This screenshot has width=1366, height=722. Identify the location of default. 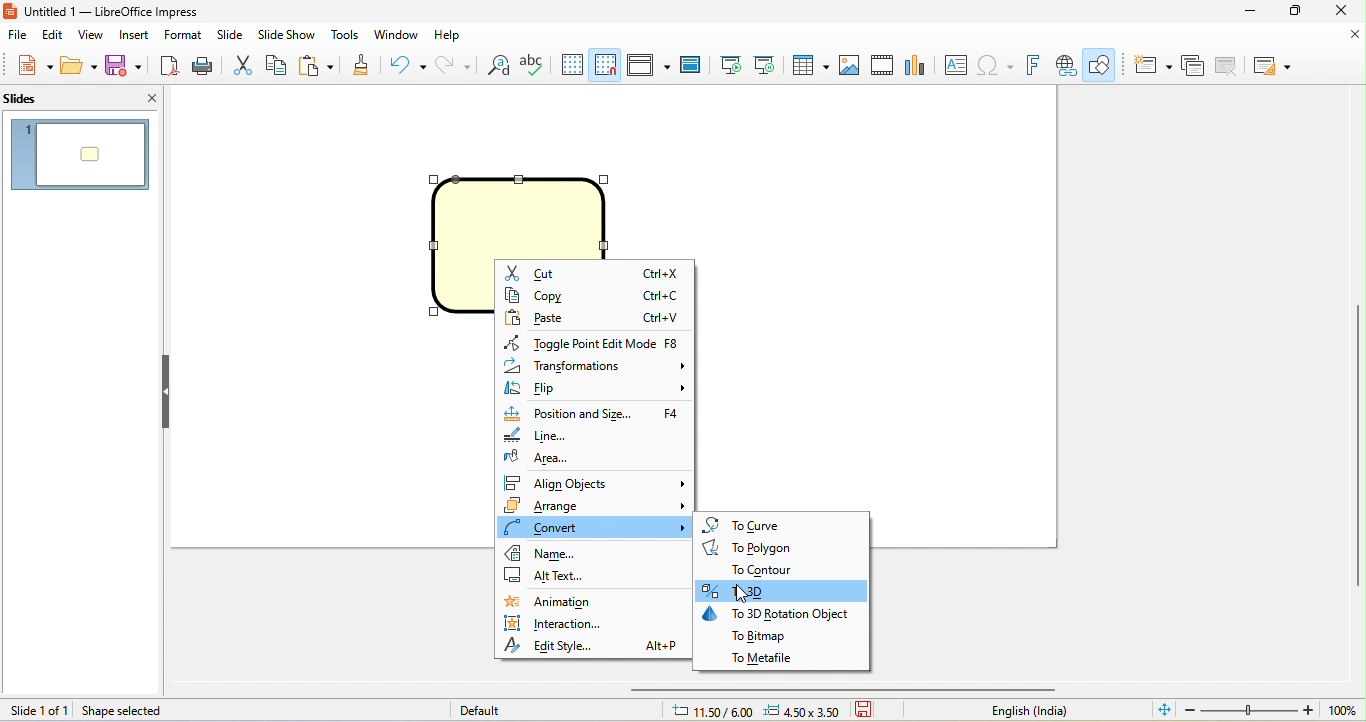
(479, 710).